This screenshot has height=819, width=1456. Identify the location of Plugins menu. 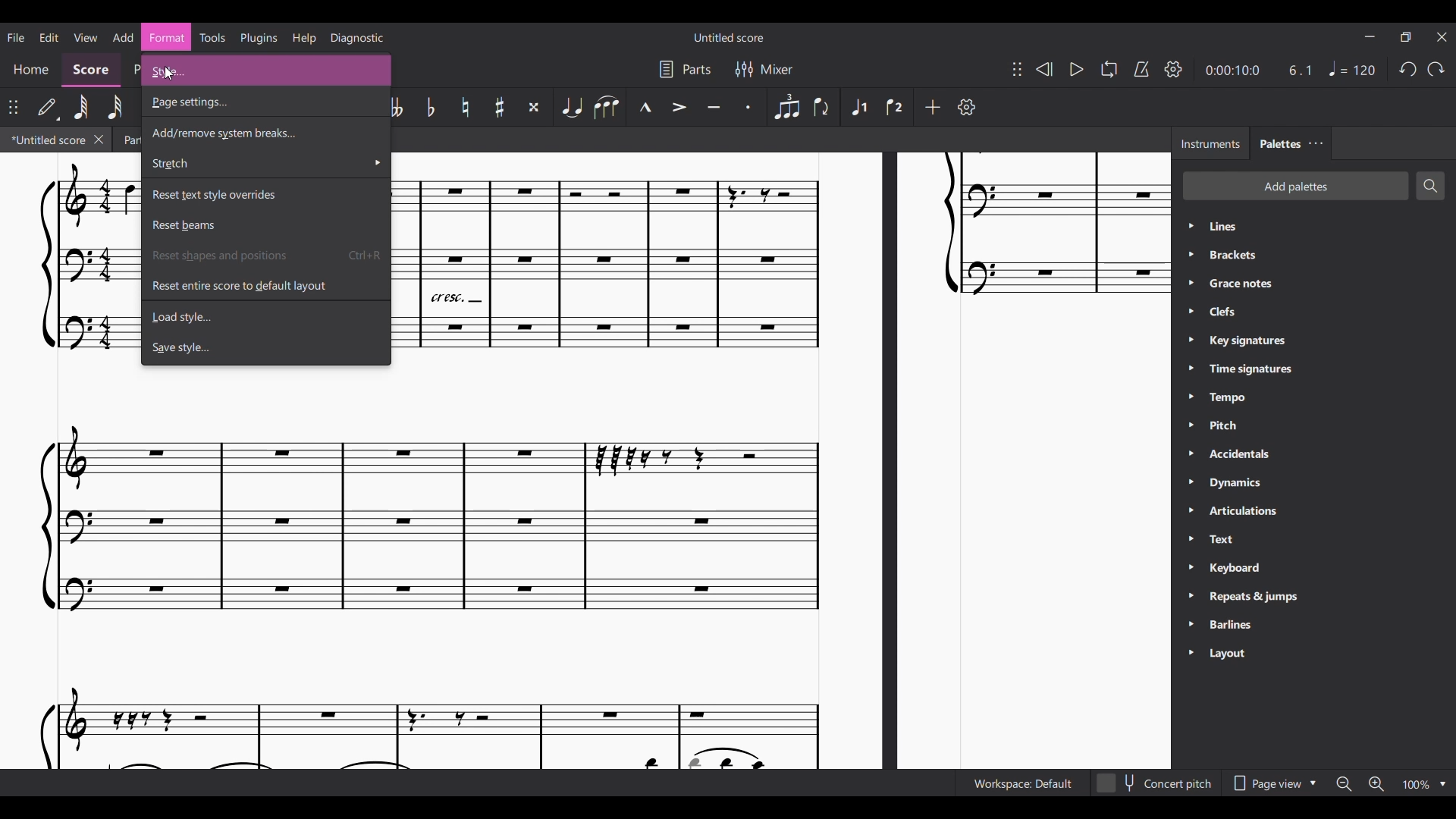
(259, 38).